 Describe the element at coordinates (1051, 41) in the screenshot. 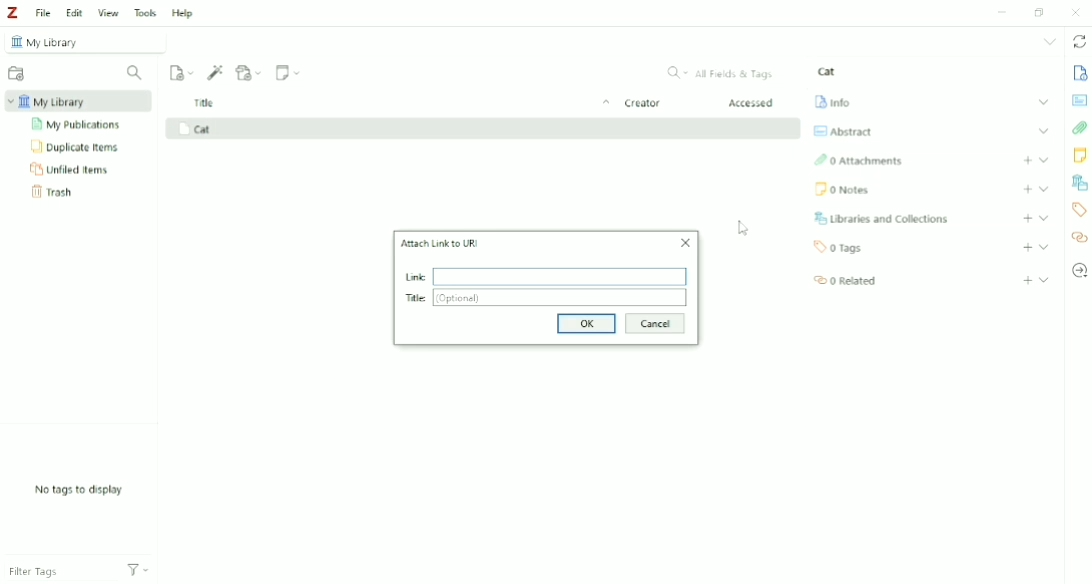

I see `List all tabs` at that location.